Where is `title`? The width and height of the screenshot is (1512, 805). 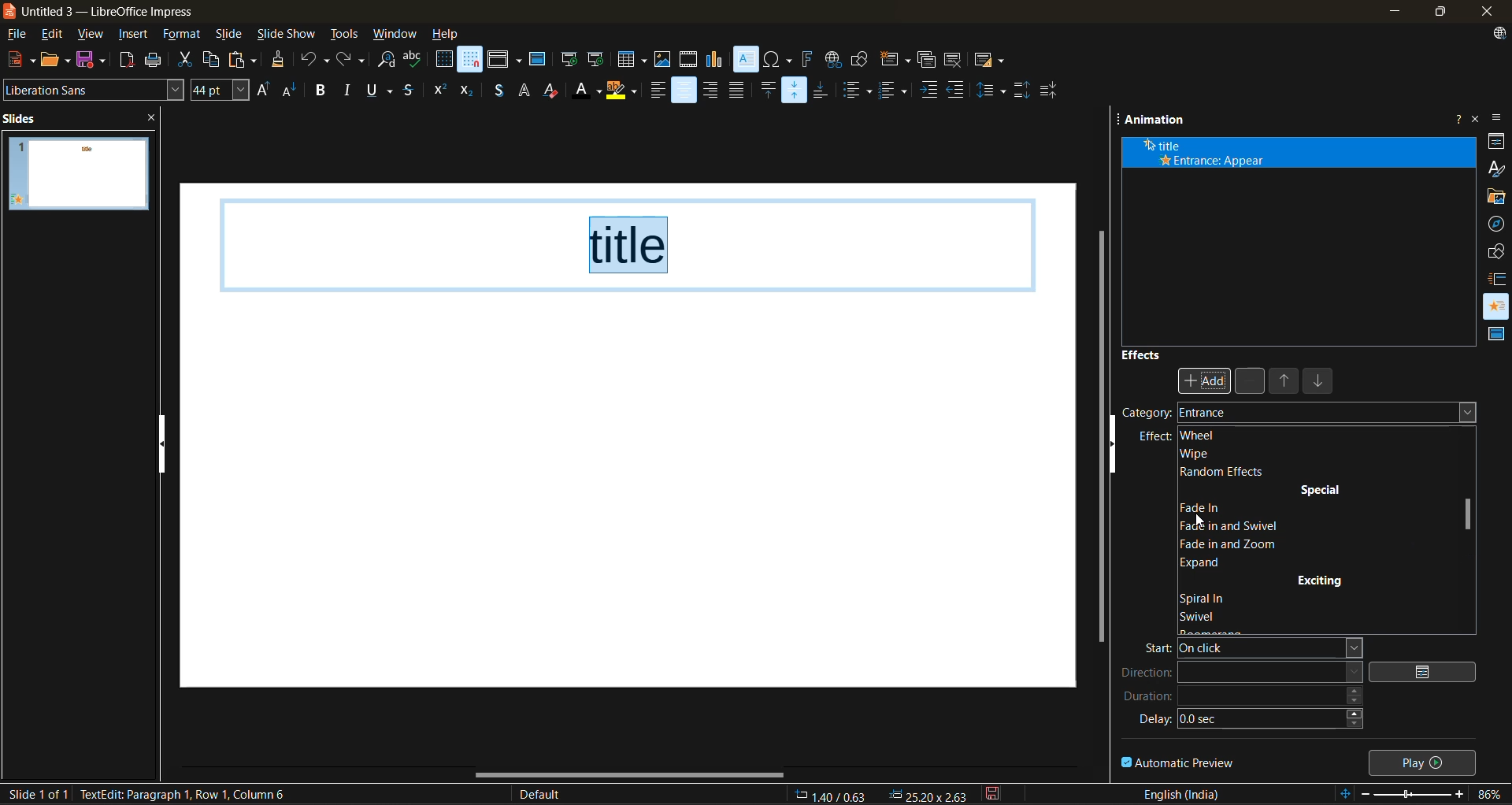 title is located at coordinates (632, 244).